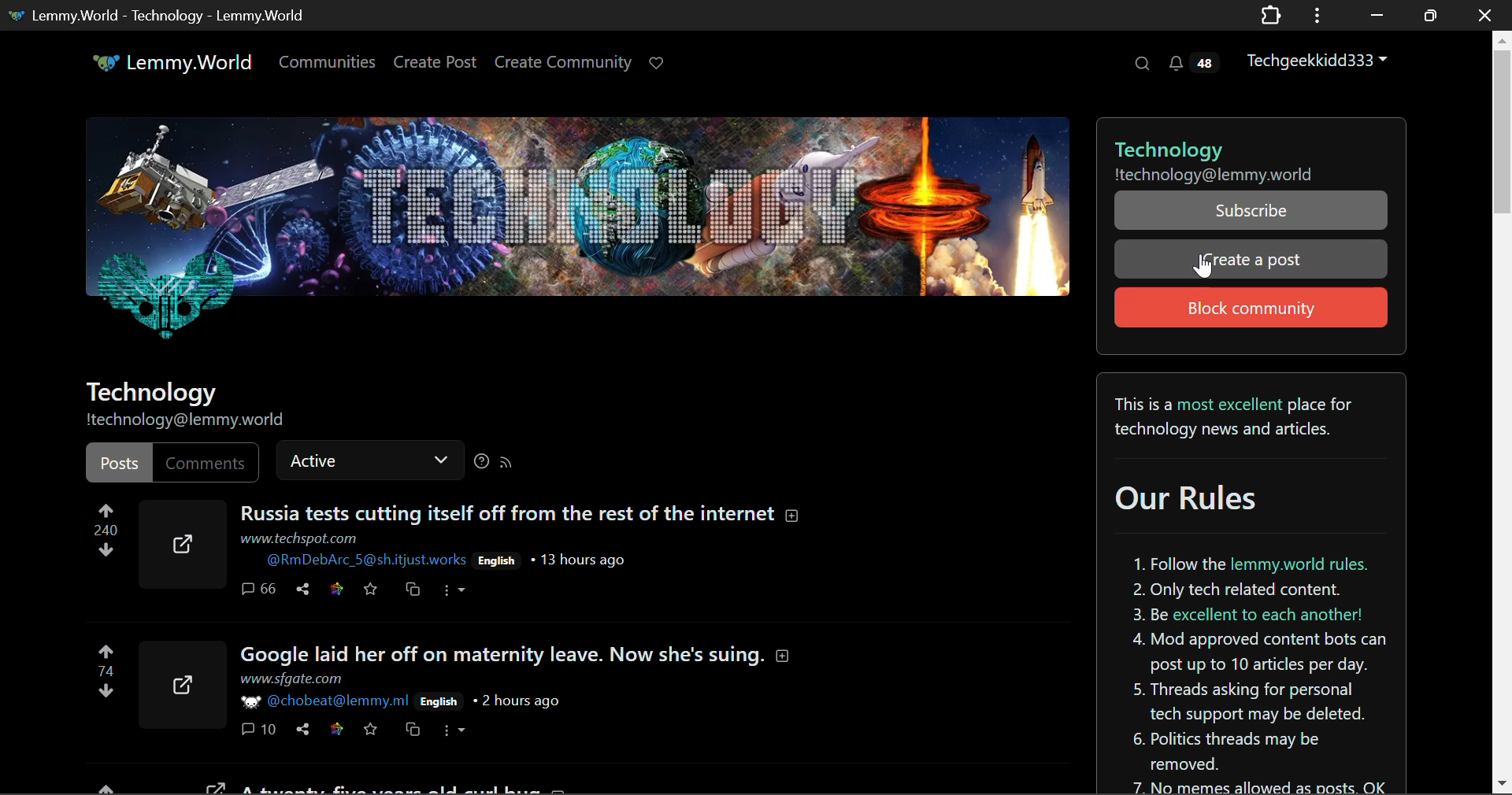 This screenshot has width=1512, height=795. Describe the element at coordinates (115, 462) in the screenshot. I see `Posts Filter Selected` at that location.